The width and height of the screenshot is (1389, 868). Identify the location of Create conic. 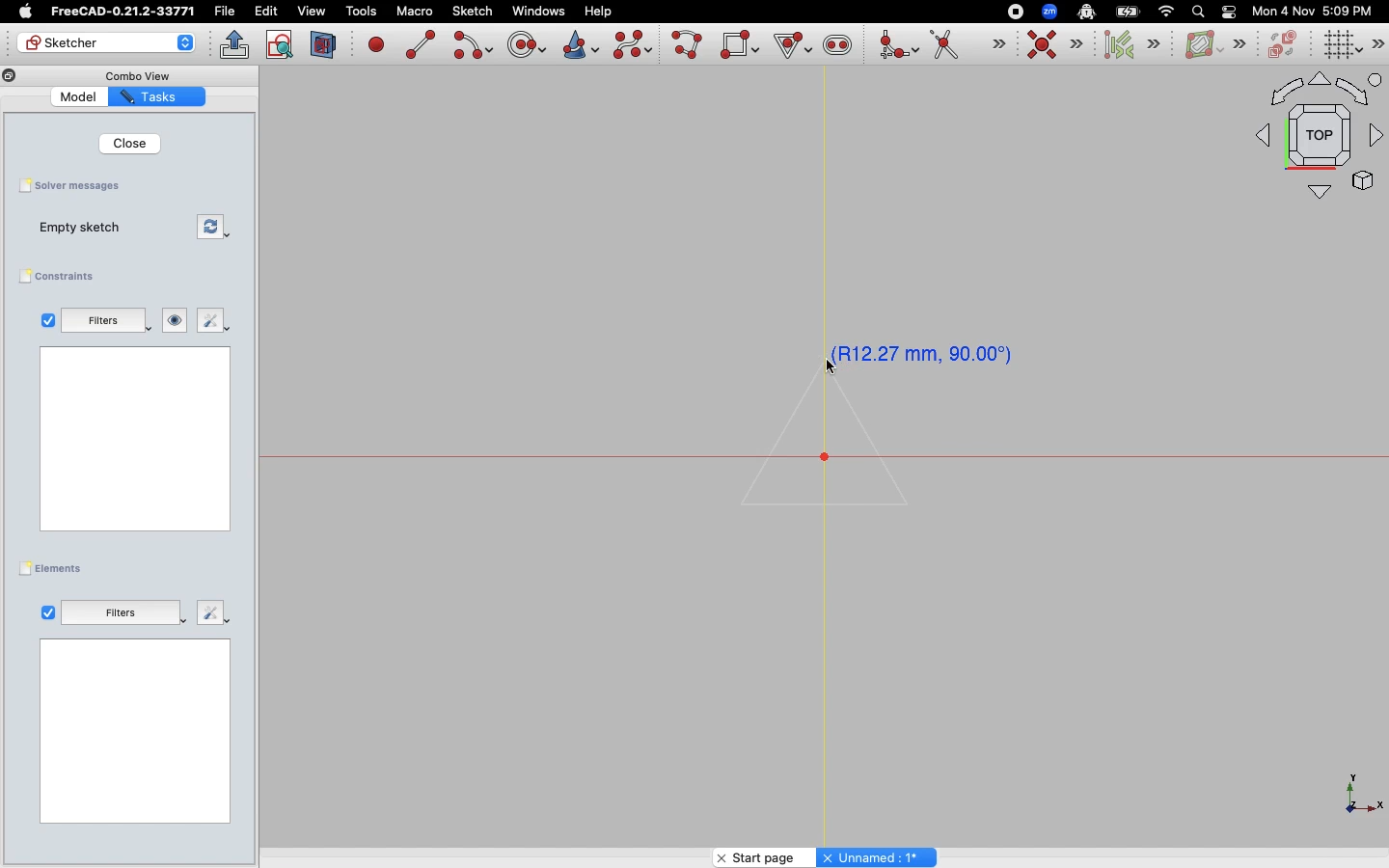
(579, 43).